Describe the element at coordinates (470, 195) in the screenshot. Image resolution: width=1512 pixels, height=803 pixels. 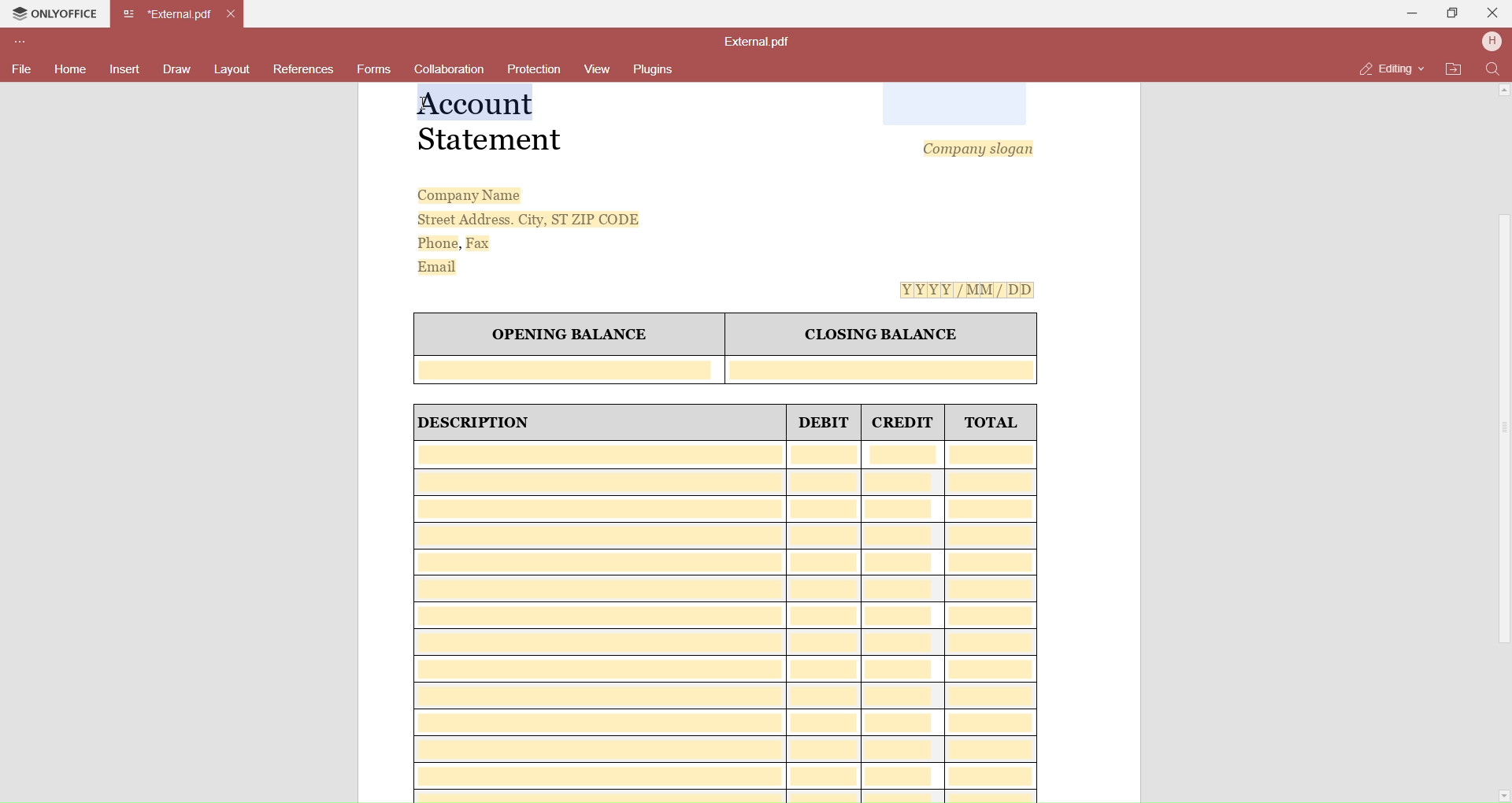
I see `Company Name` at that location.